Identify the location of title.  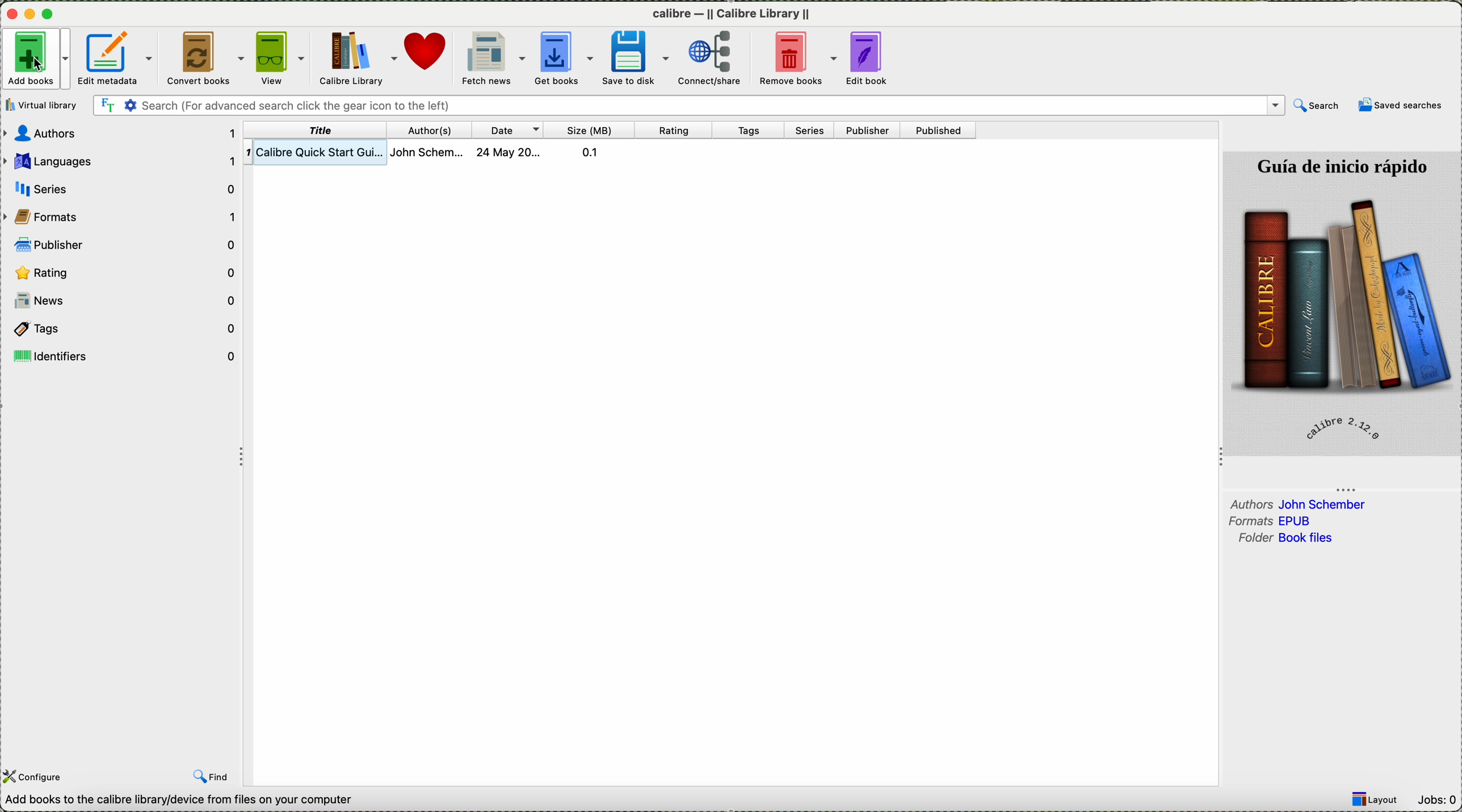
(316, 131).